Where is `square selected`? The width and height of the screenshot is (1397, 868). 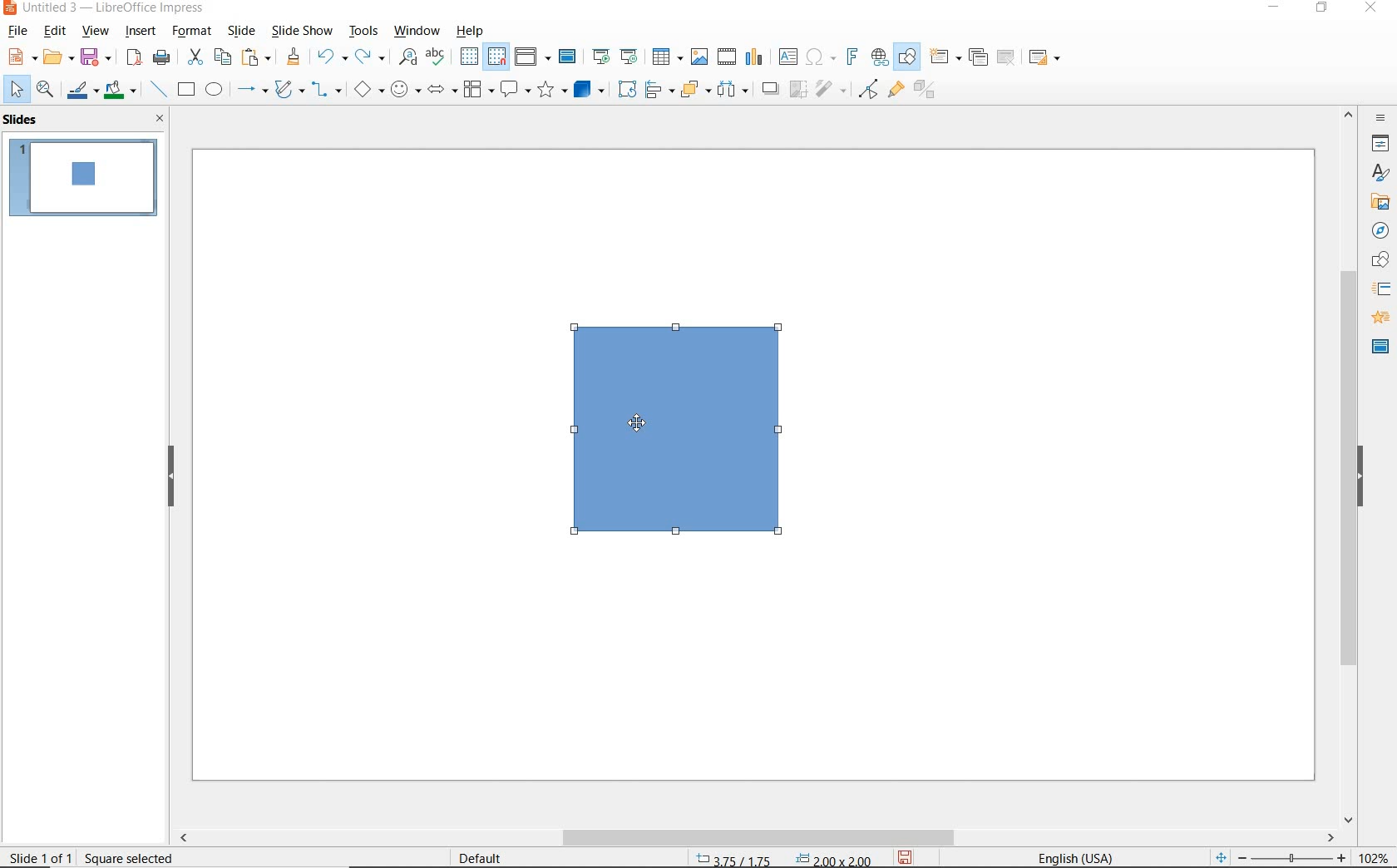 square selected is located at coordinates (131, 856).